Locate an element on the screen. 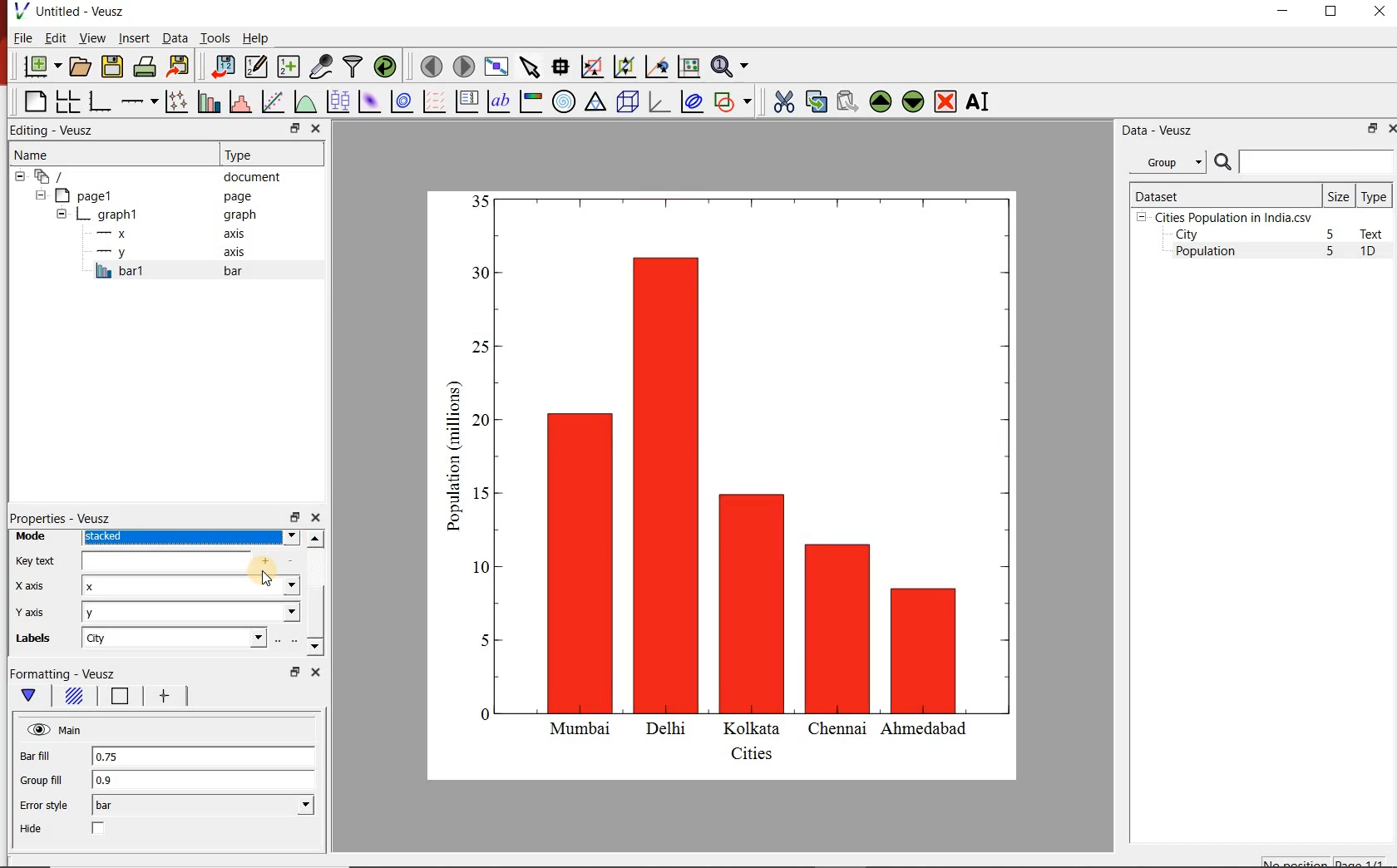  Name is located at coordinates (94, 152).